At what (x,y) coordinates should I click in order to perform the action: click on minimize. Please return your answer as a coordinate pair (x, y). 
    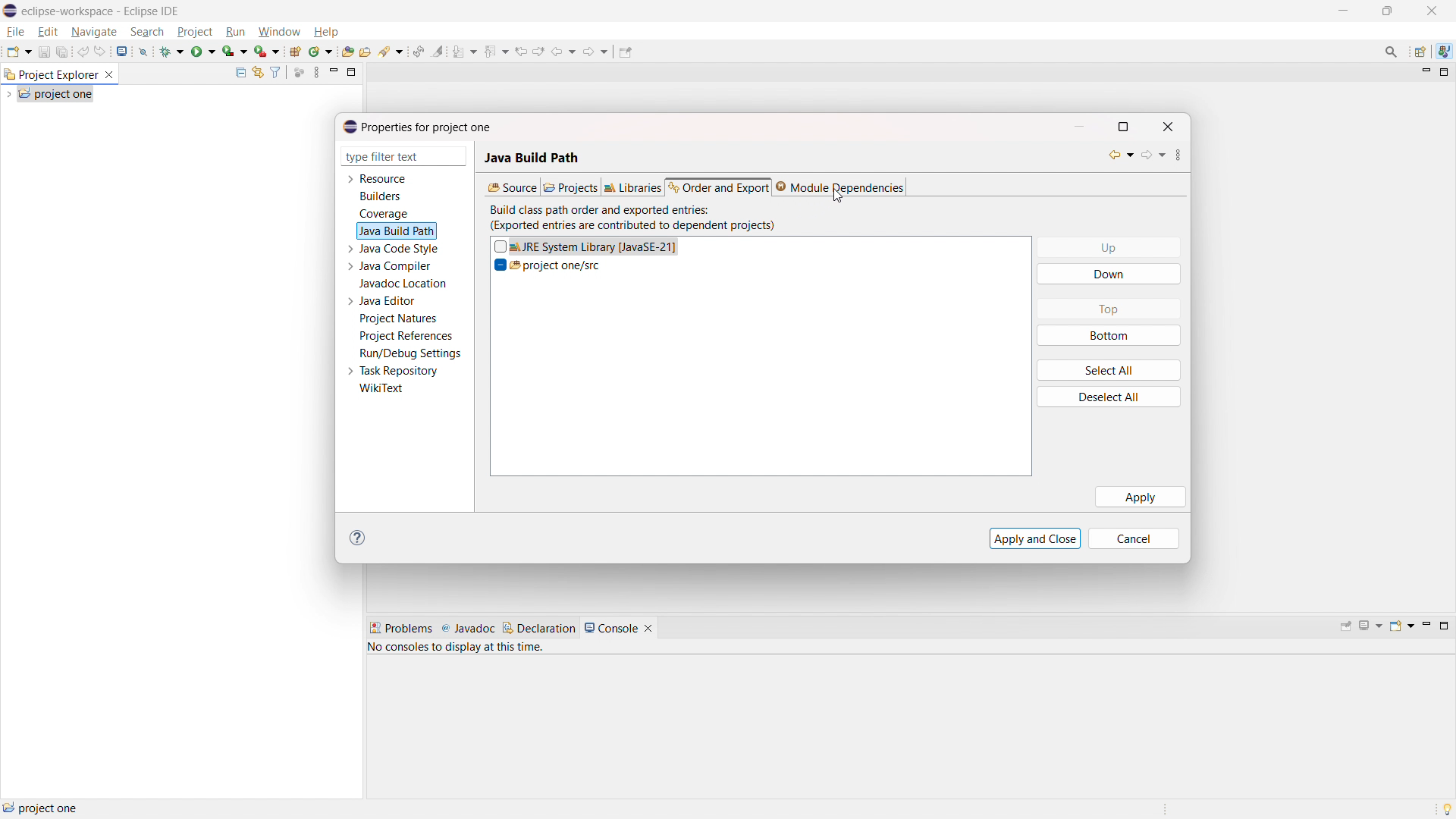
    Looking at the image, I should click on (1081, 125).